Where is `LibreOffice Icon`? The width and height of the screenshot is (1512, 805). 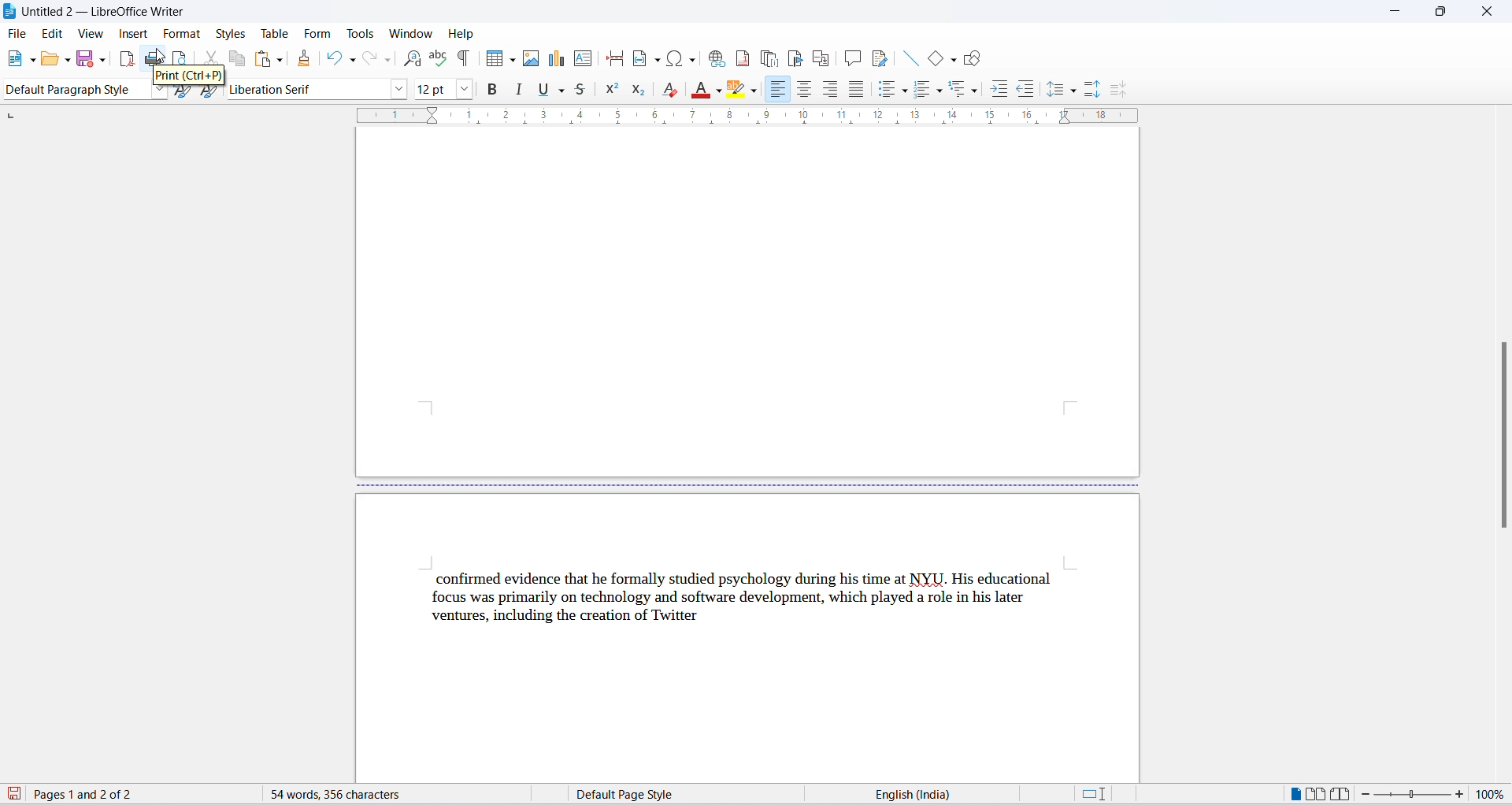 LibreOffice Icon is located at coordinates (9, 13).